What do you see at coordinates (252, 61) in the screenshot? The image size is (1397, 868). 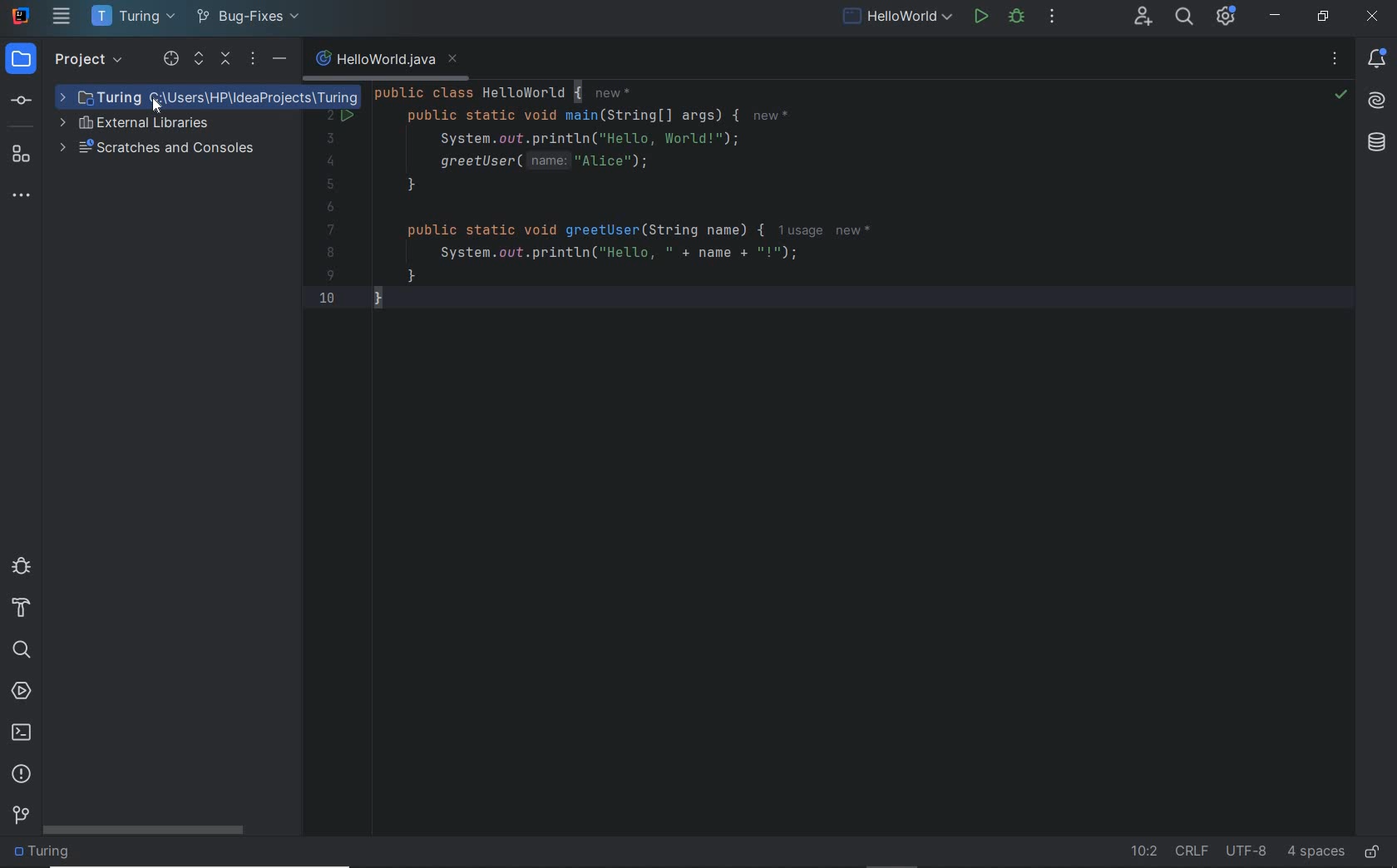 I see `options` at bounding box center [252, 61].